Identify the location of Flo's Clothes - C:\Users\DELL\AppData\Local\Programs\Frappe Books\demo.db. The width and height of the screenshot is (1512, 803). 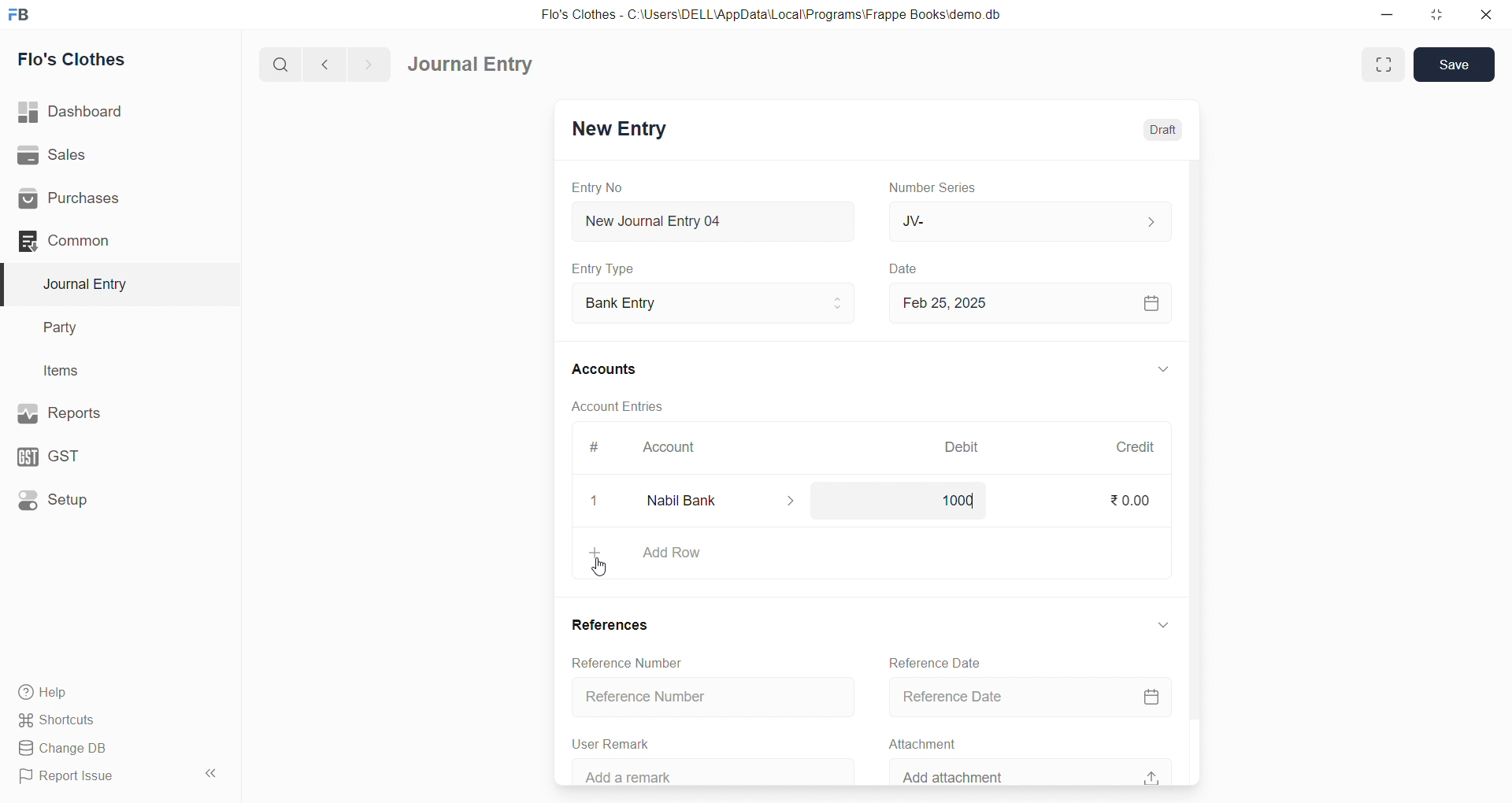
(783, 16).